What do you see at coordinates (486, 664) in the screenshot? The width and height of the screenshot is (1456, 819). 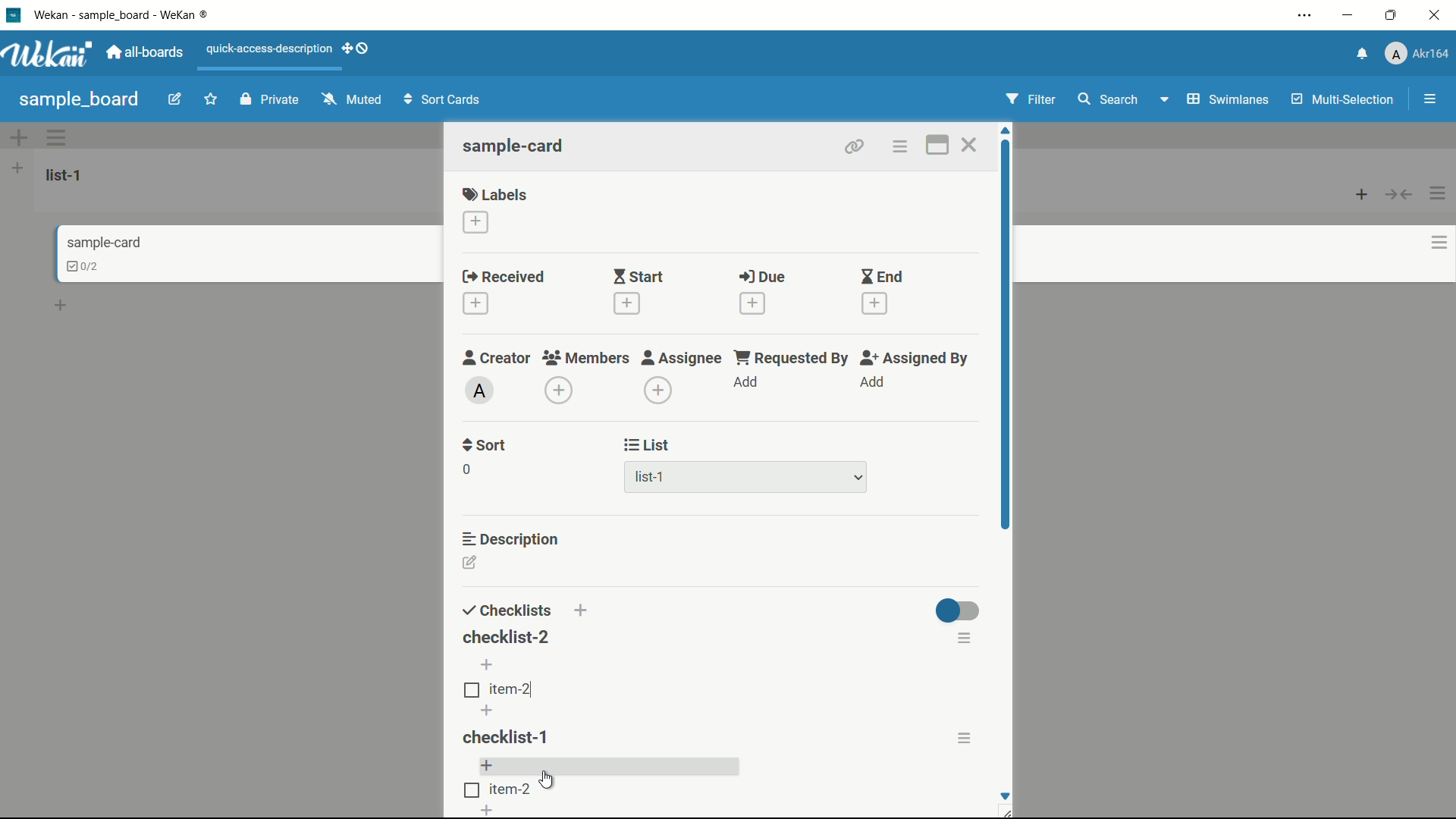 I see `add` at bounding box center [486, 664].